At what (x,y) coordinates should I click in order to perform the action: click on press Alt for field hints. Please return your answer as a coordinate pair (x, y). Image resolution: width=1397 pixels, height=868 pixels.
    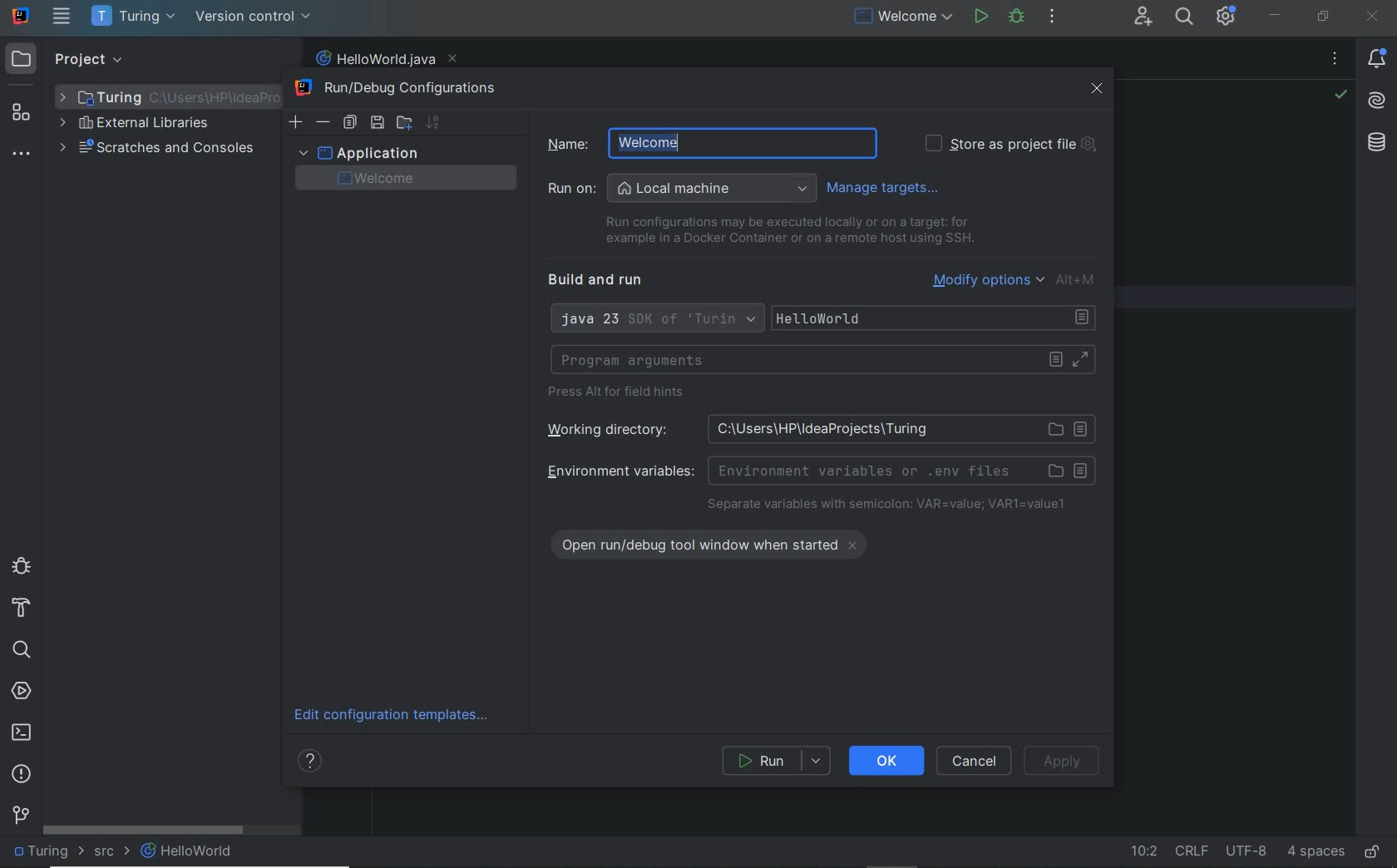
    Looking at the image, I should click on (621, 394).